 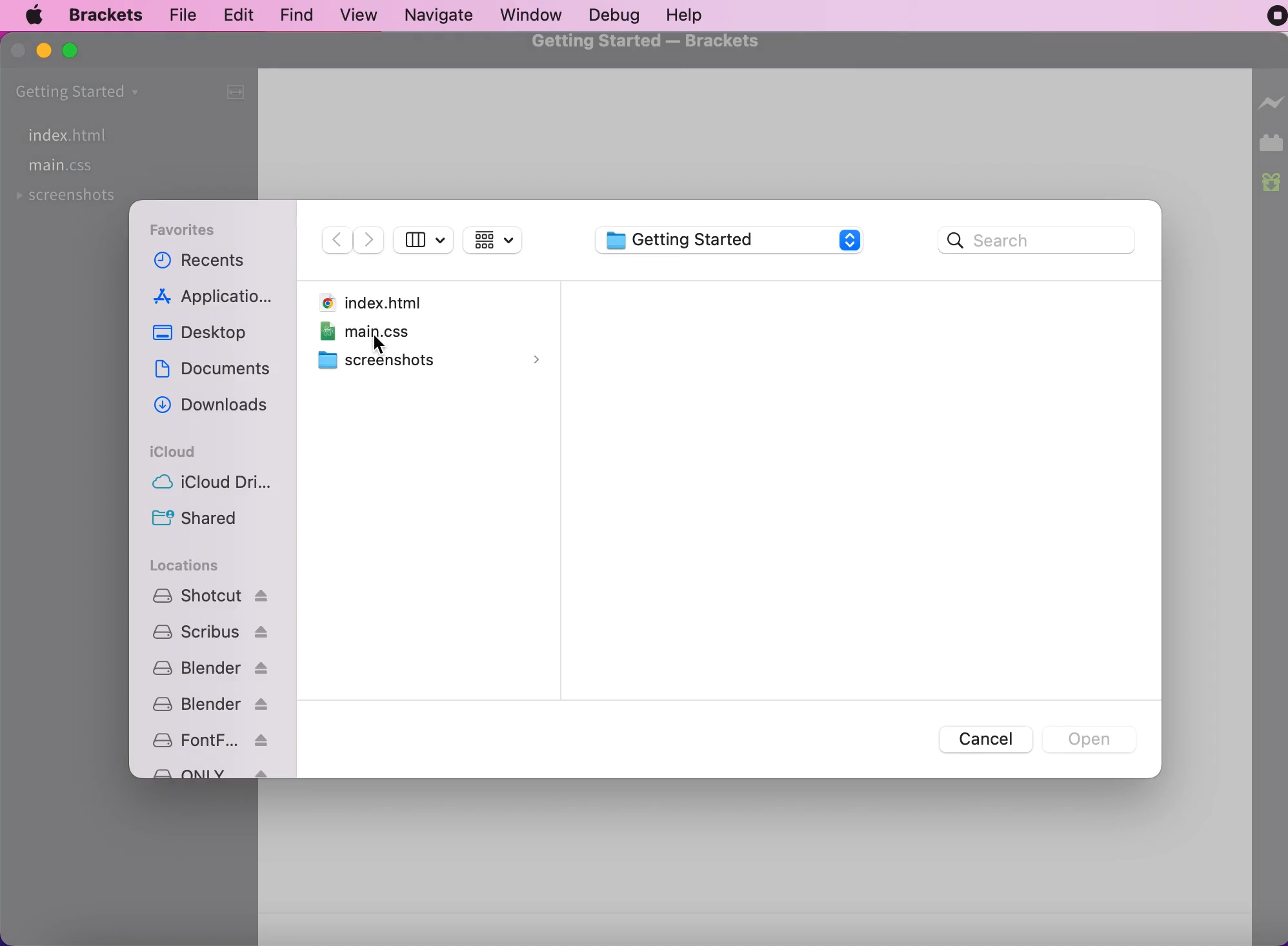 I want to click on change the item grouping, so click(x=502, y=243).